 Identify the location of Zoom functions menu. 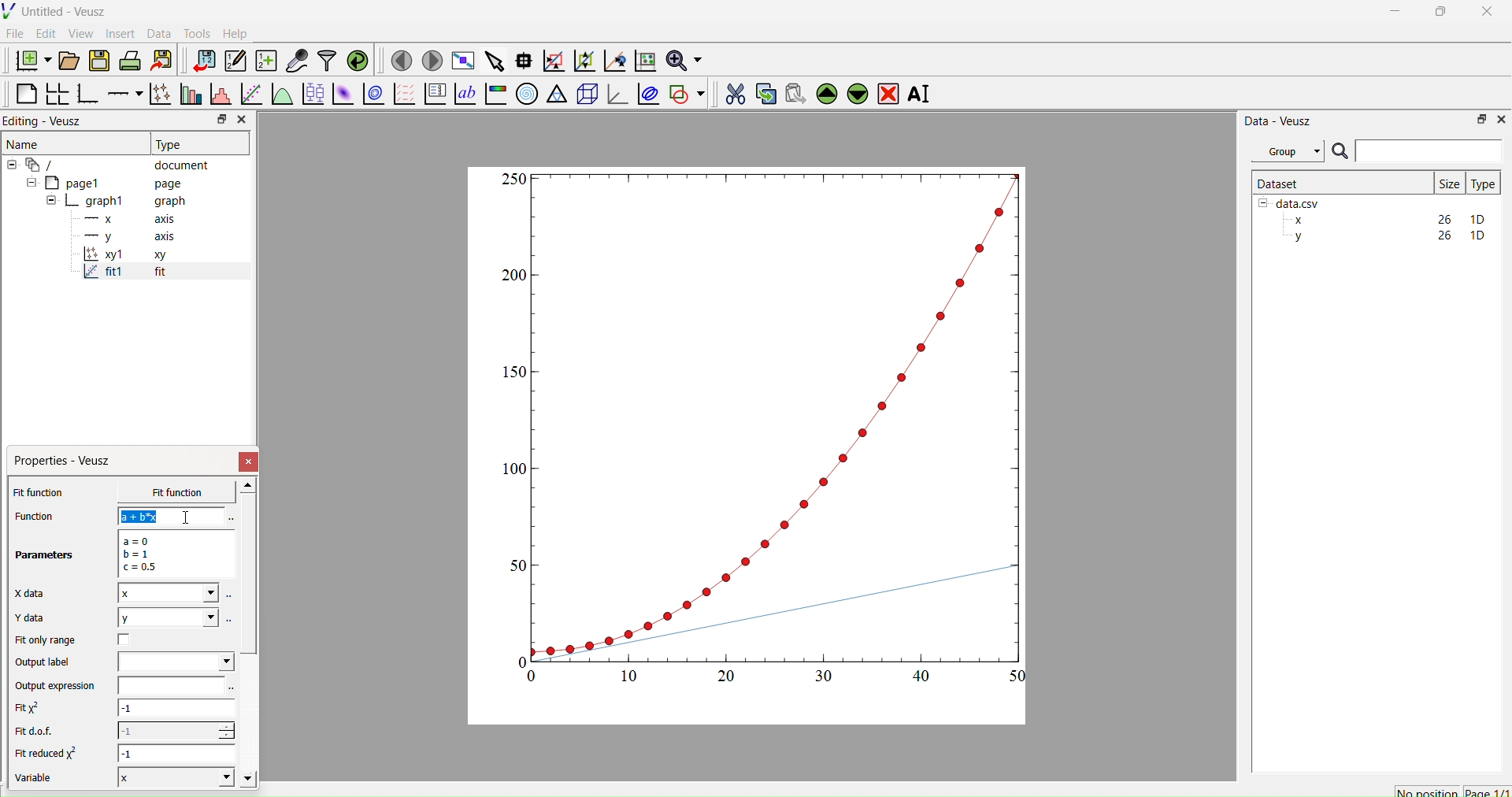
(683, 58).